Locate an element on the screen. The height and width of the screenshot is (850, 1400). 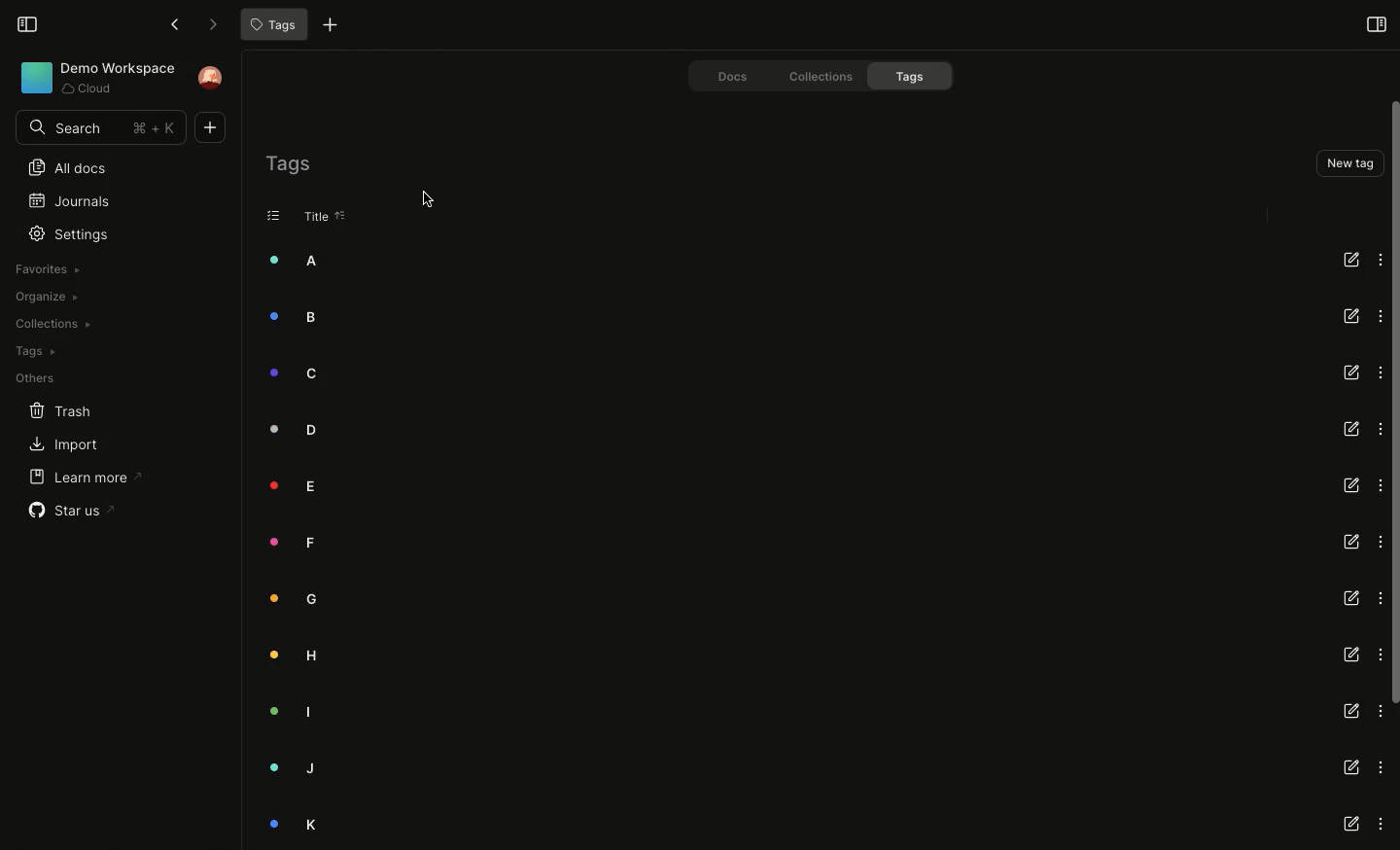
Rename is located at coordinates (1349, 711).